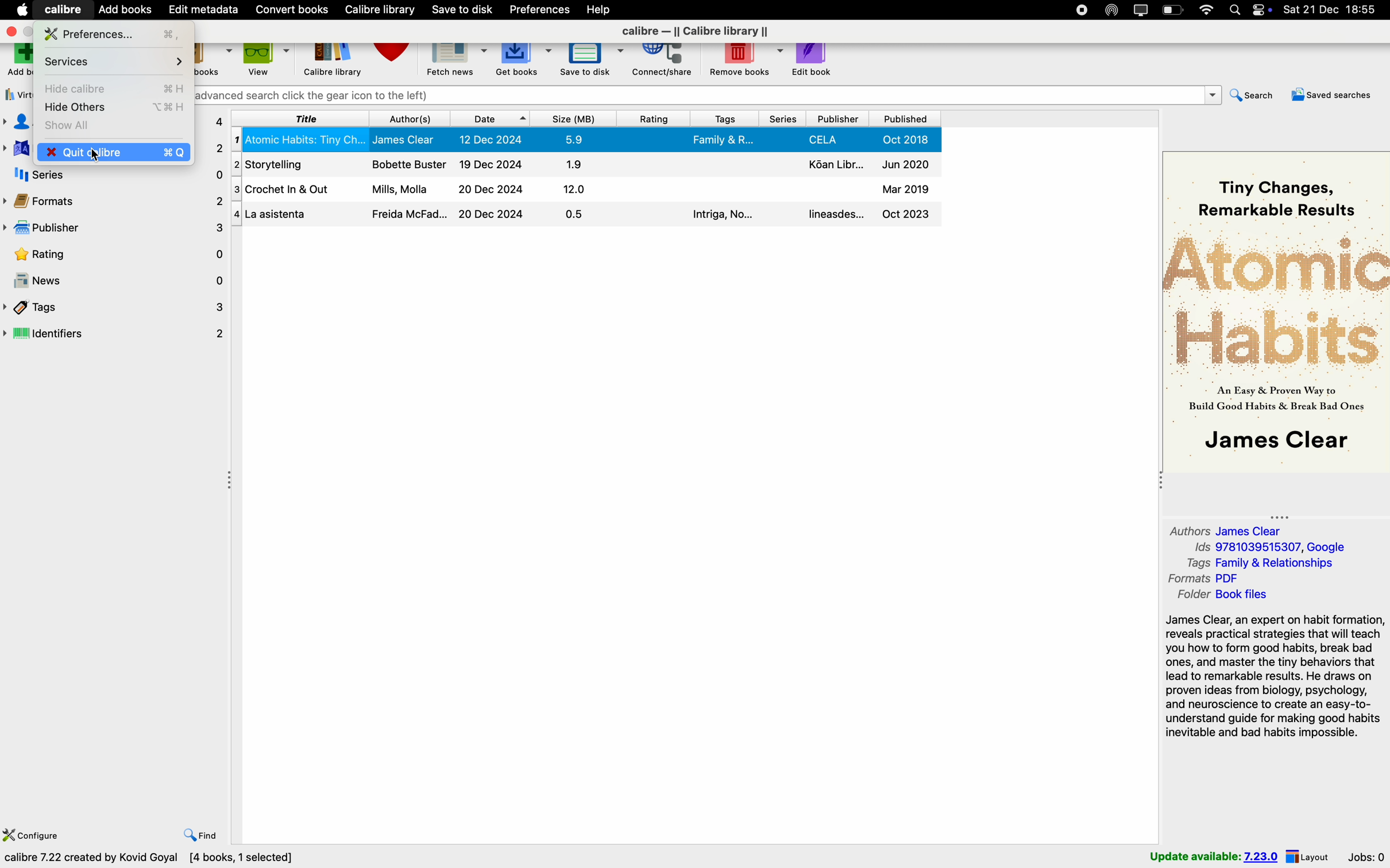  Describe the element at coordinates (602, 10) in the screenshot. I see `help` at that location.